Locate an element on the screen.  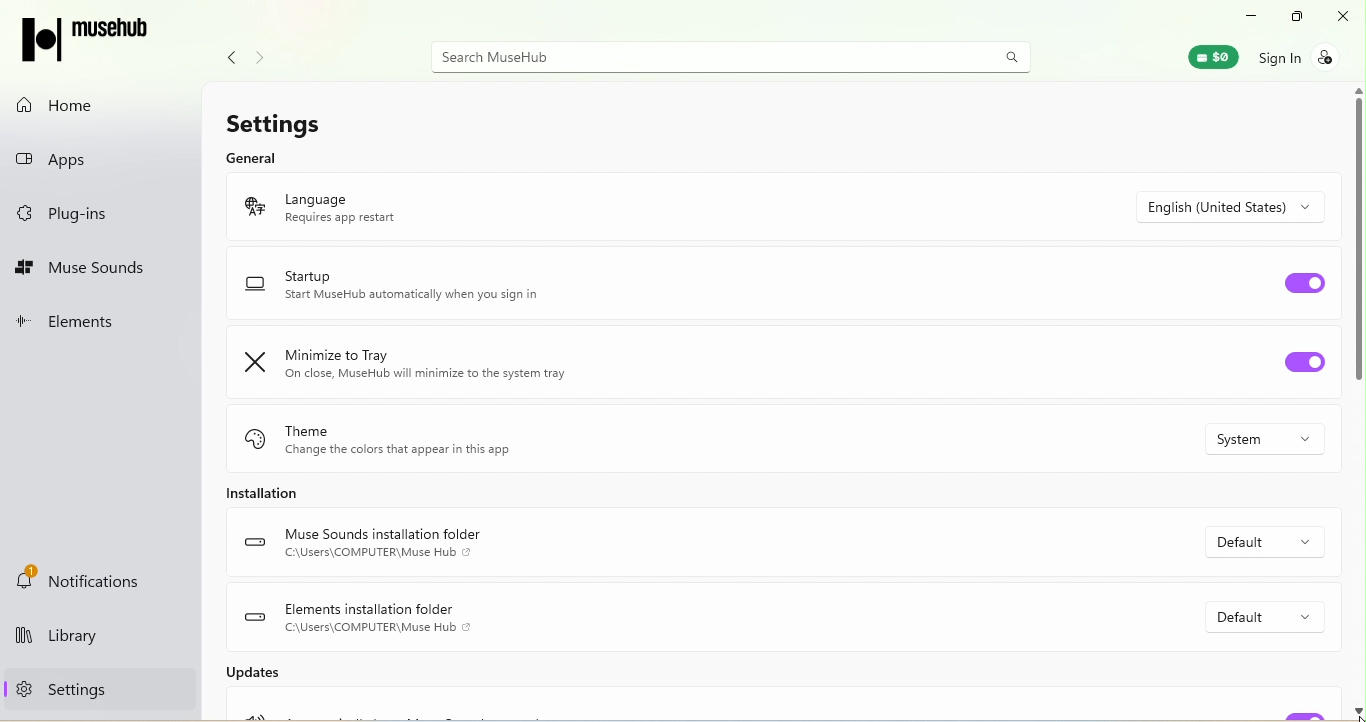
Library is located at coordinates (90, 639).